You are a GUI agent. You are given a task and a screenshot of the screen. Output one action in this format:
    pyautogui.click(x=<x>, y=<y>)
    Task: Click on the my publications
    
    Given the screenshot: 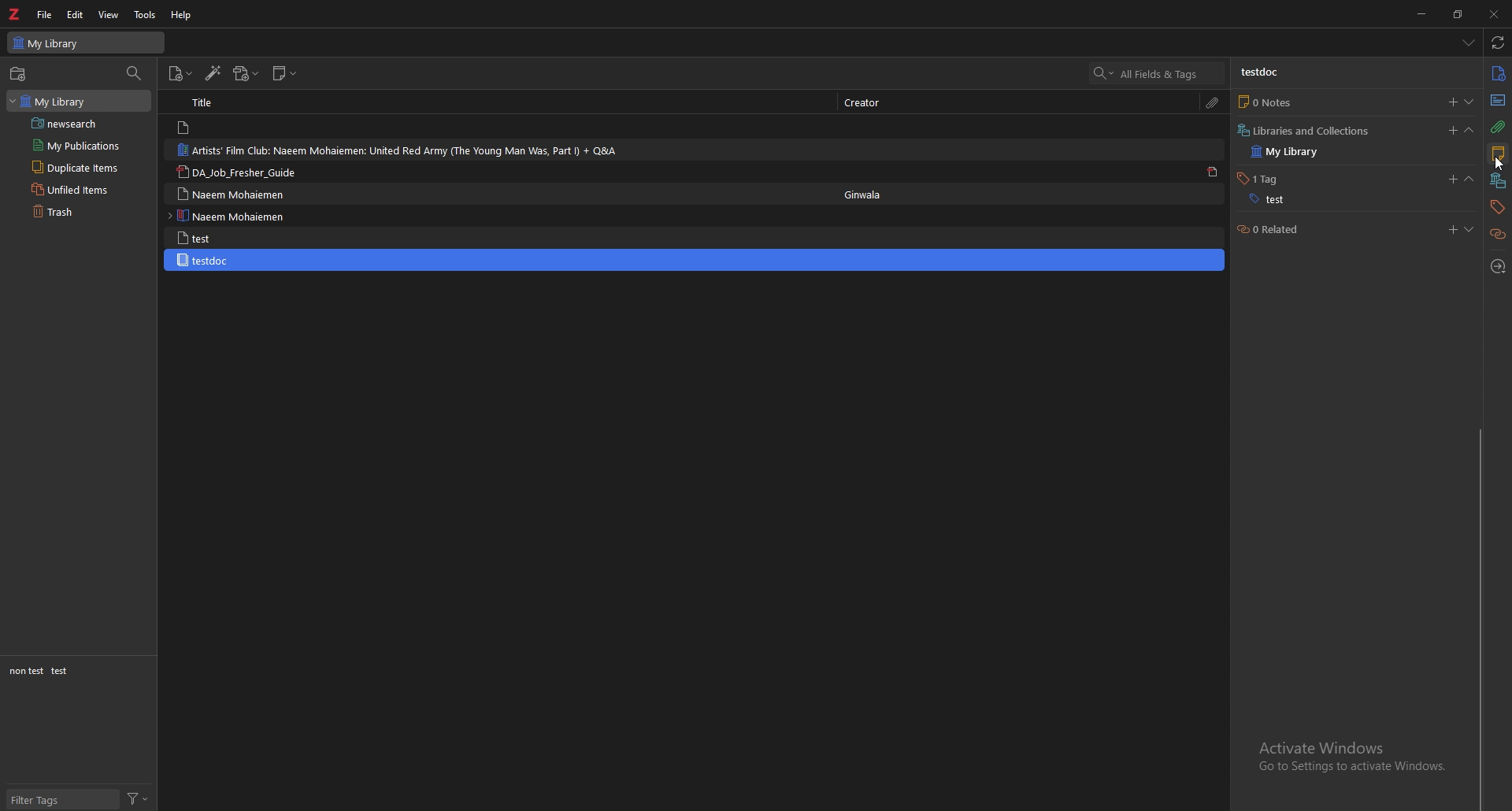 What is the action you would take?
    pyautogui.click(x=83, y=145)
    